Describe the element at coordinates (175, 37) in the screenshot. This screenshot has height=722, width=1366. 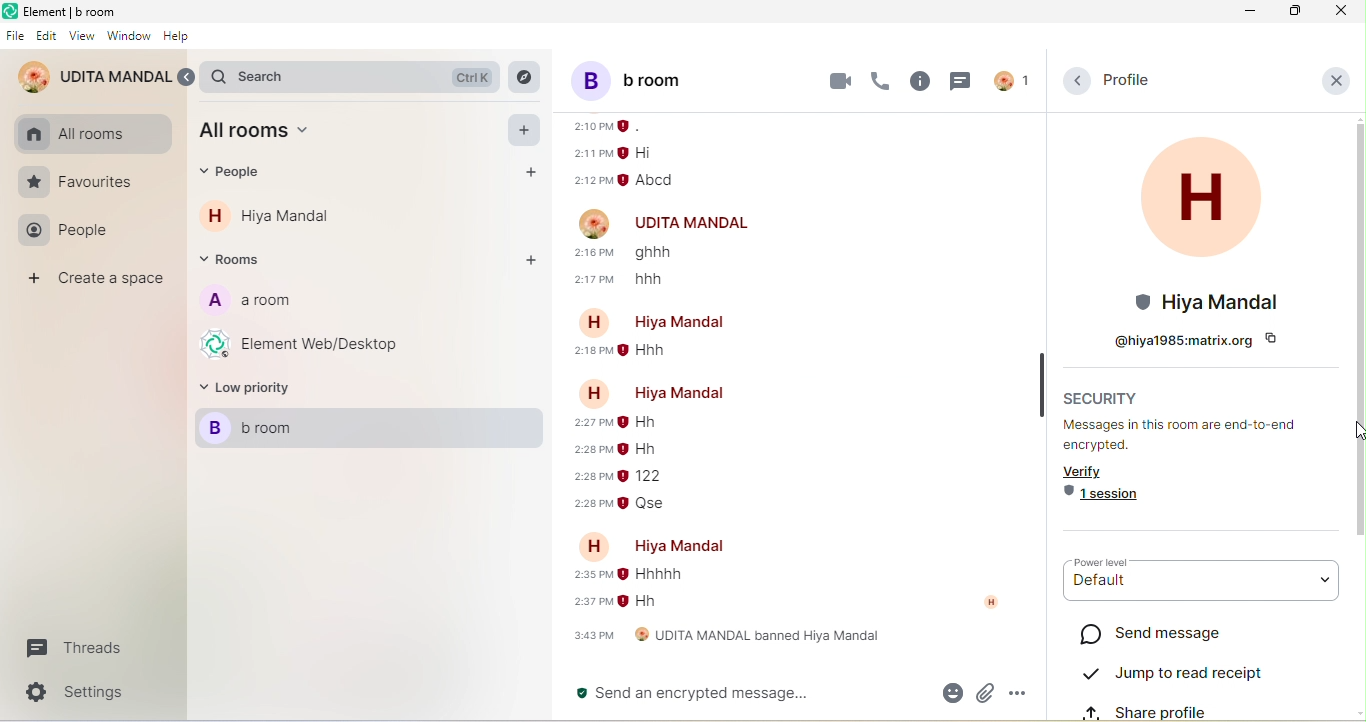
I see `help` at that location.